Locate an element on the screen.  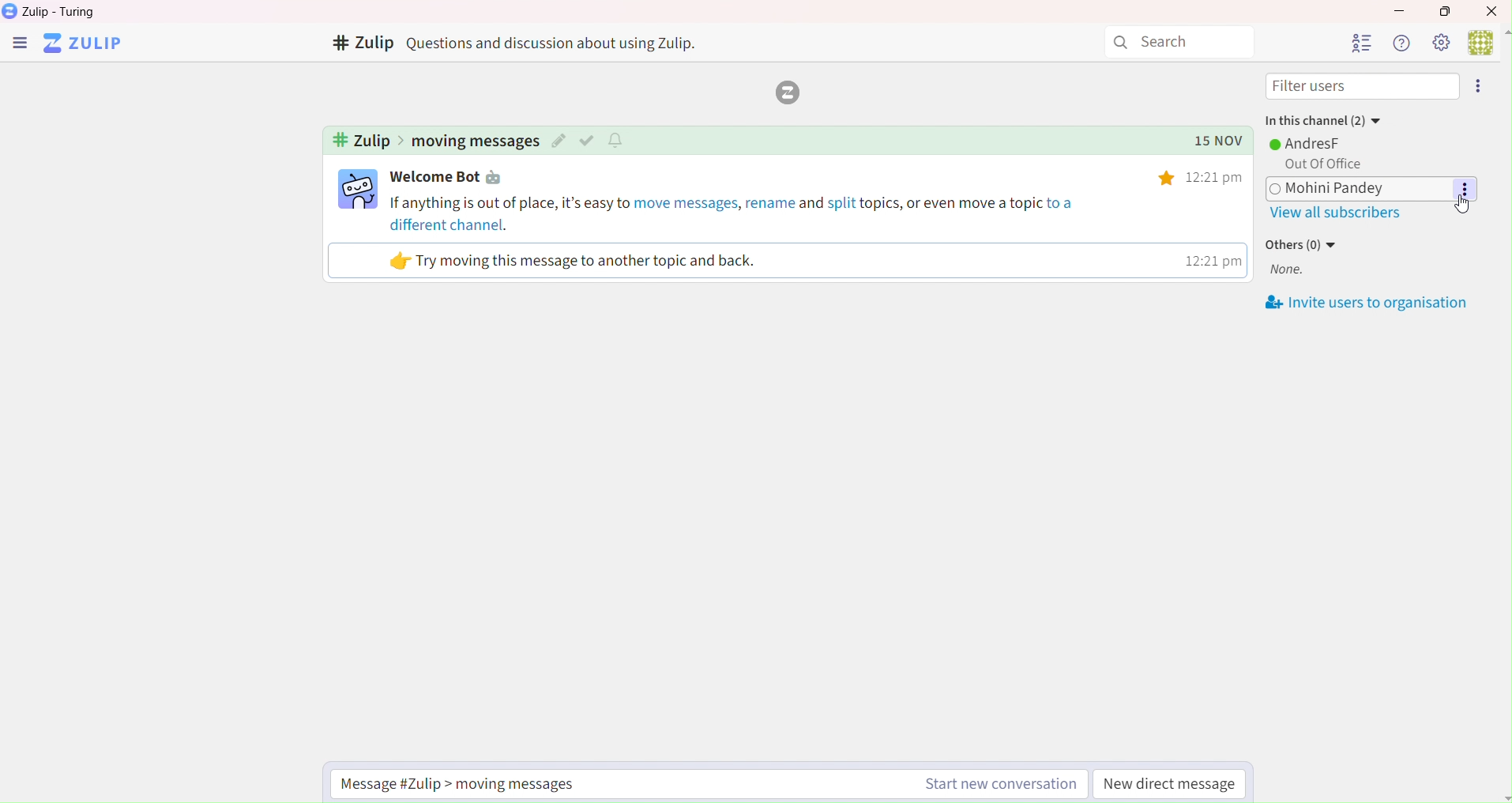
Info is located at coordinates (1400, 43).